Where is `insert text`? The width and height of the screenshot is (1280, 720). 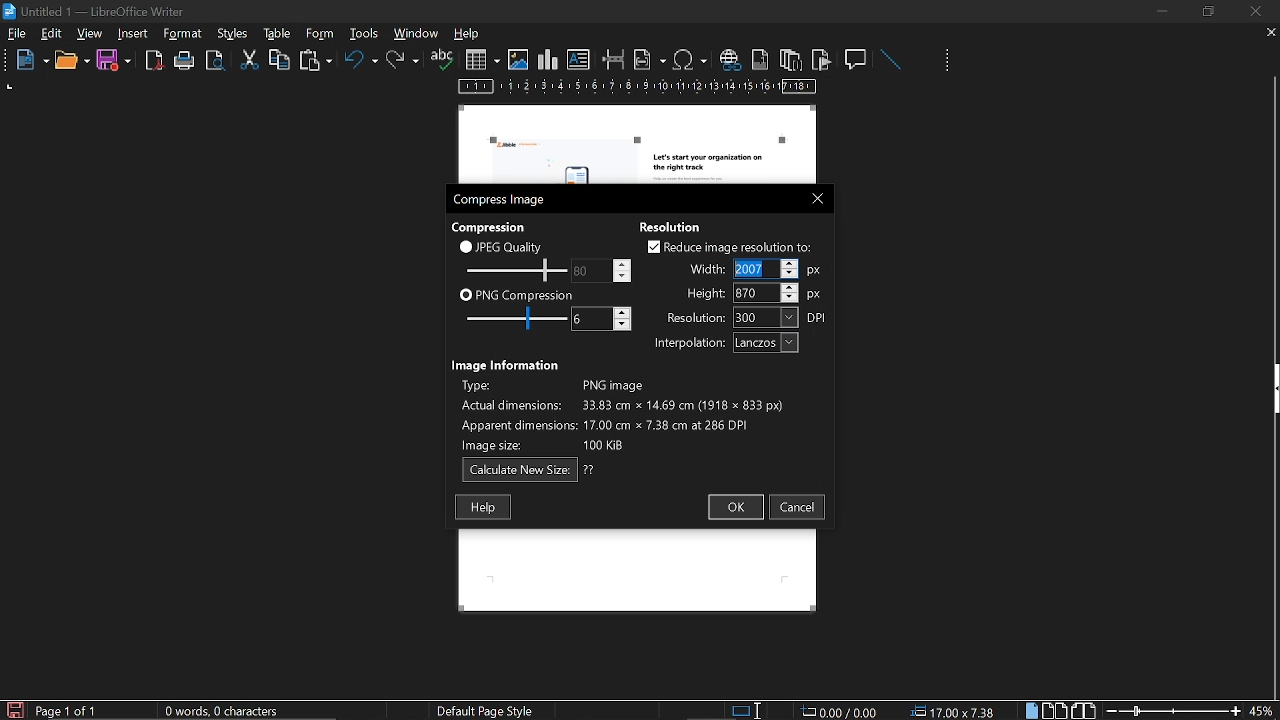 insert text is located at coordinates (579, 60).